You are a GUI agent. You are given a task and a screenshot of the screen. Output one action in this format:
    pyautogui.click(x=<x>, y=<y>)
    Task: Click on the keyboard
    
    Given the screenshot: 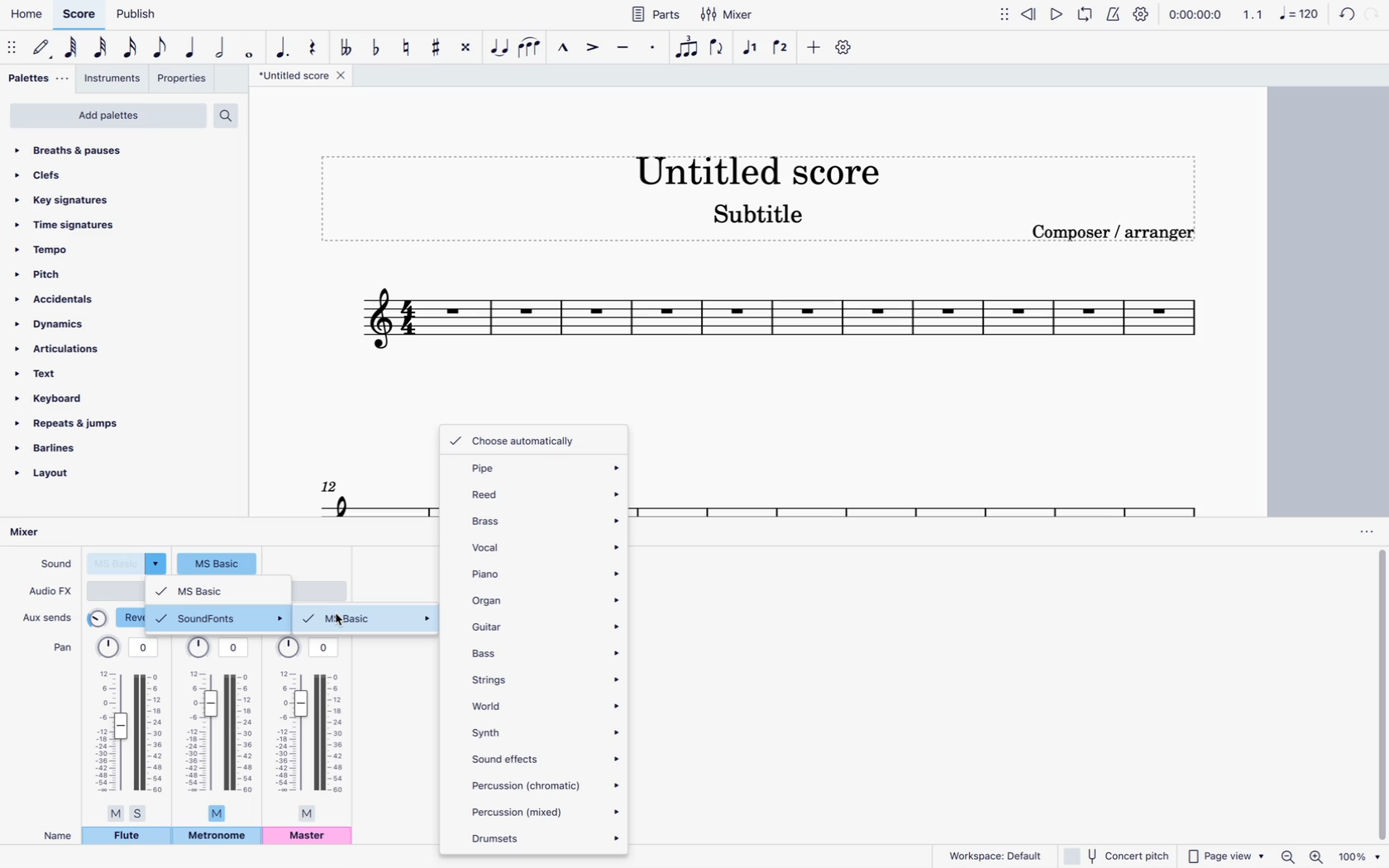 What is the action you would take?
    pyautogui.click(x=58, y=398)
    